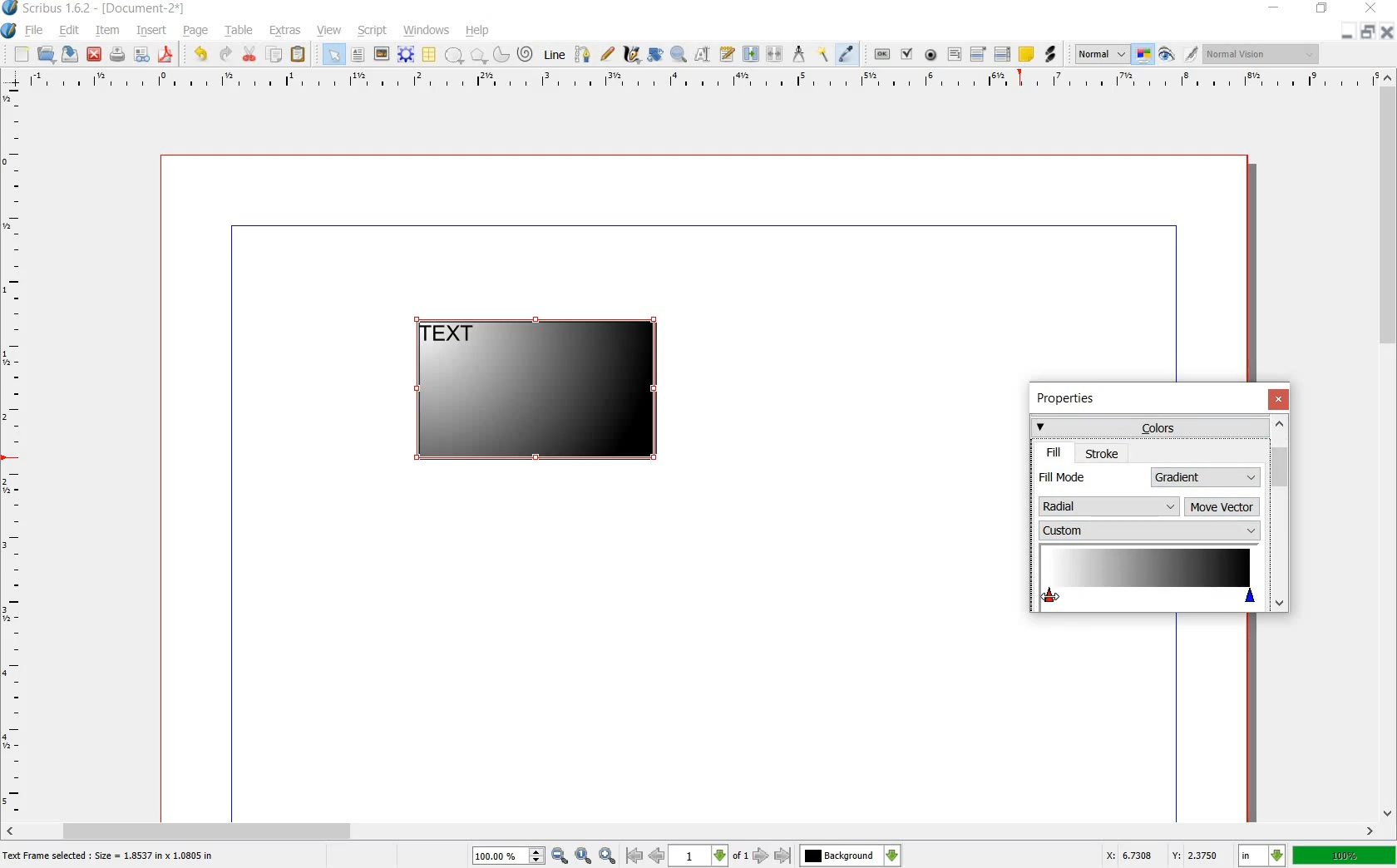 The image size is (1397, 868). Describe the element at coordinates (540, 392) in the screenshot. I see `gradient added to shape` at that location.